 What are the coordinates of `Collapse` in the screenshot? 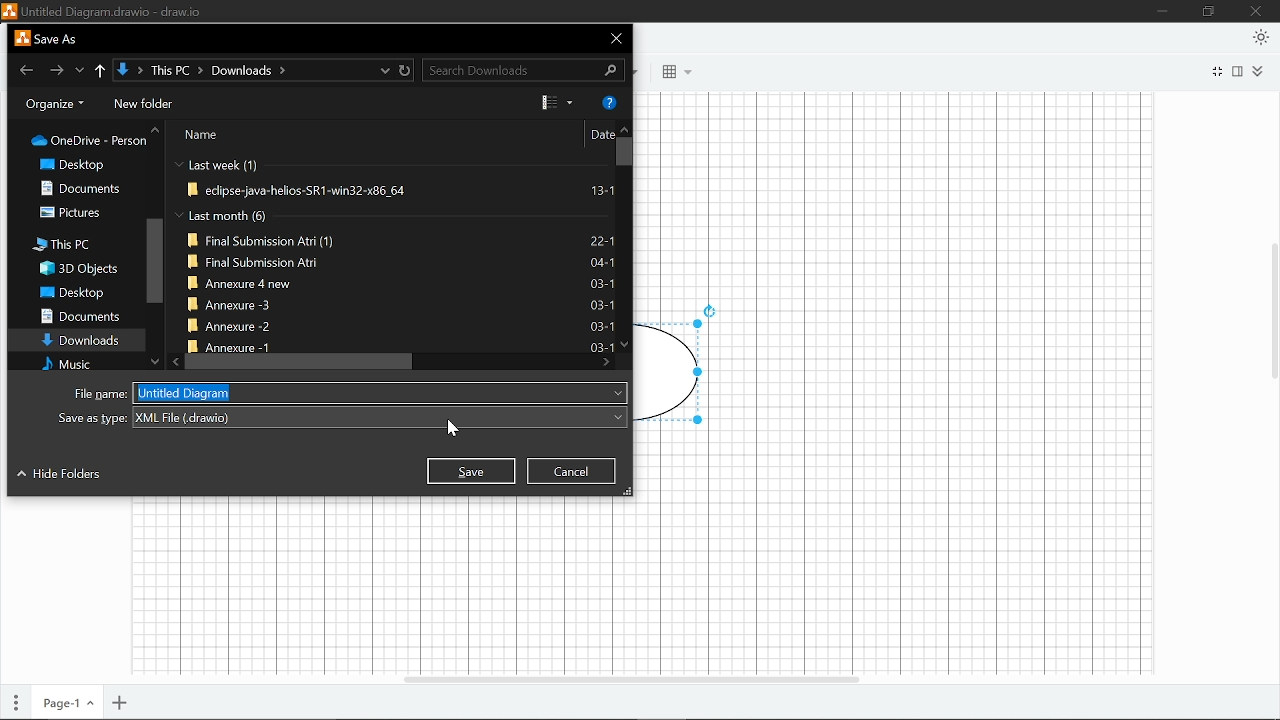 It's located at (1259, 71).